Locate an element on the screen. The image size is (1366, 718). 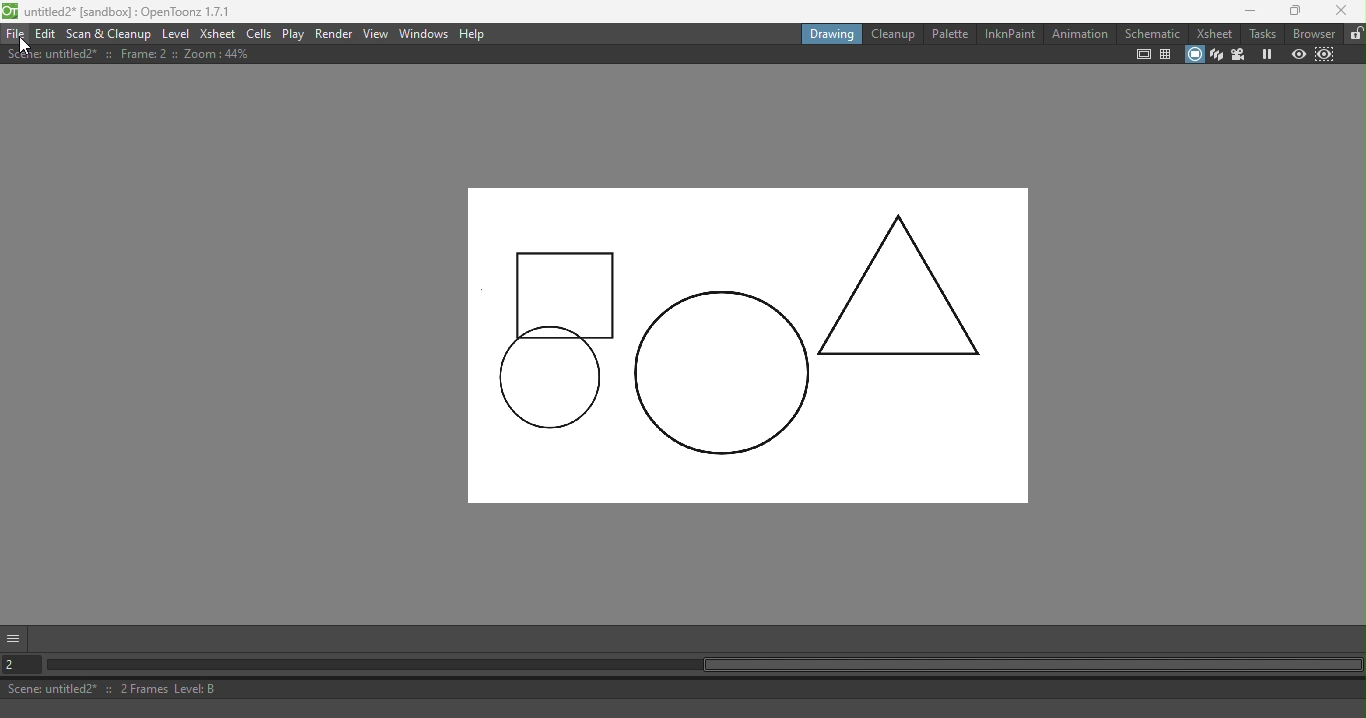
Browser is located at coordinates (1311, 33).